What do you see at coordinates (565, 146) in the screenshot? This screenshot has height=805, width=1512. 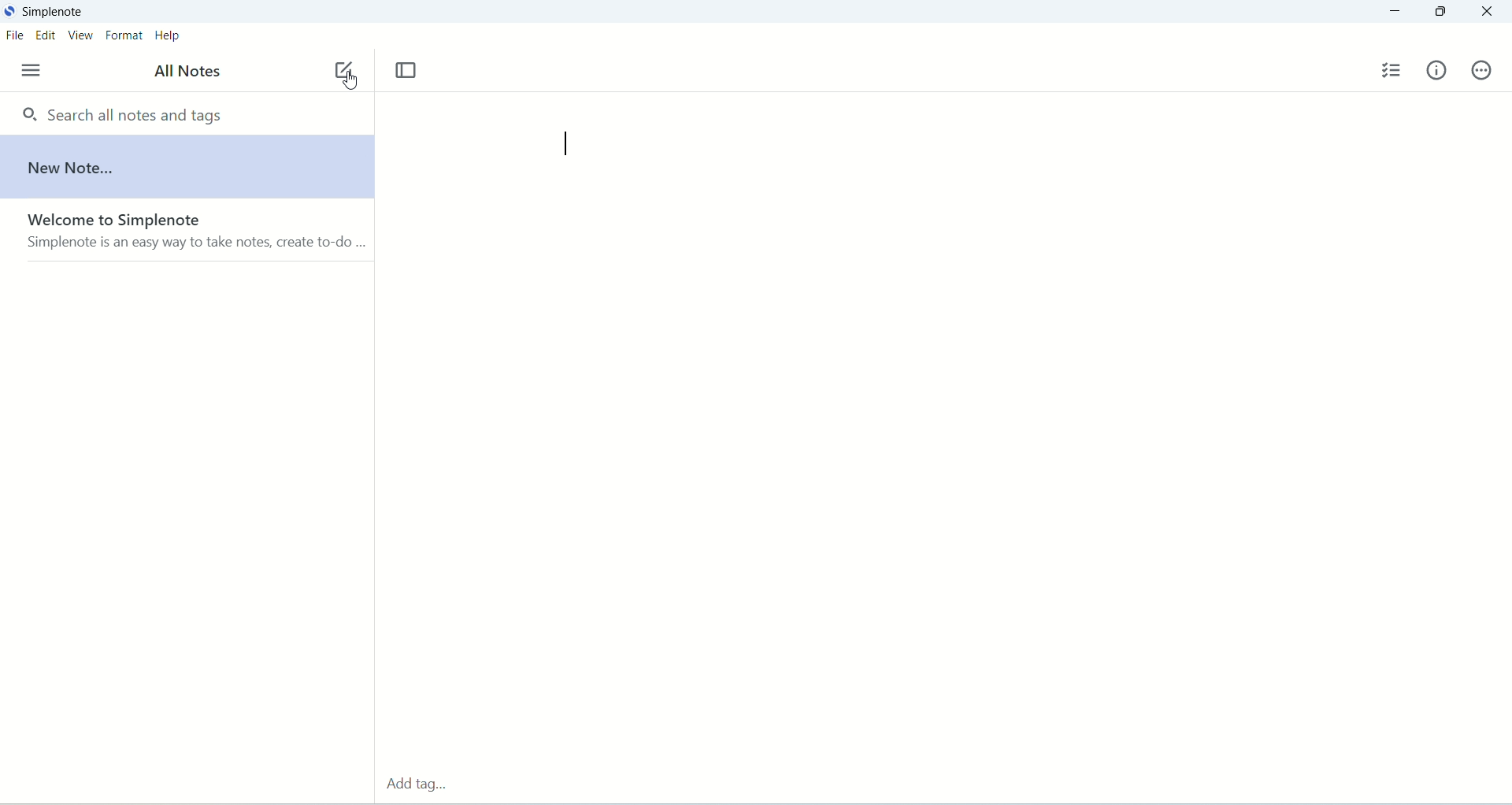 I see `cursor` at bounding box center [565, 146].